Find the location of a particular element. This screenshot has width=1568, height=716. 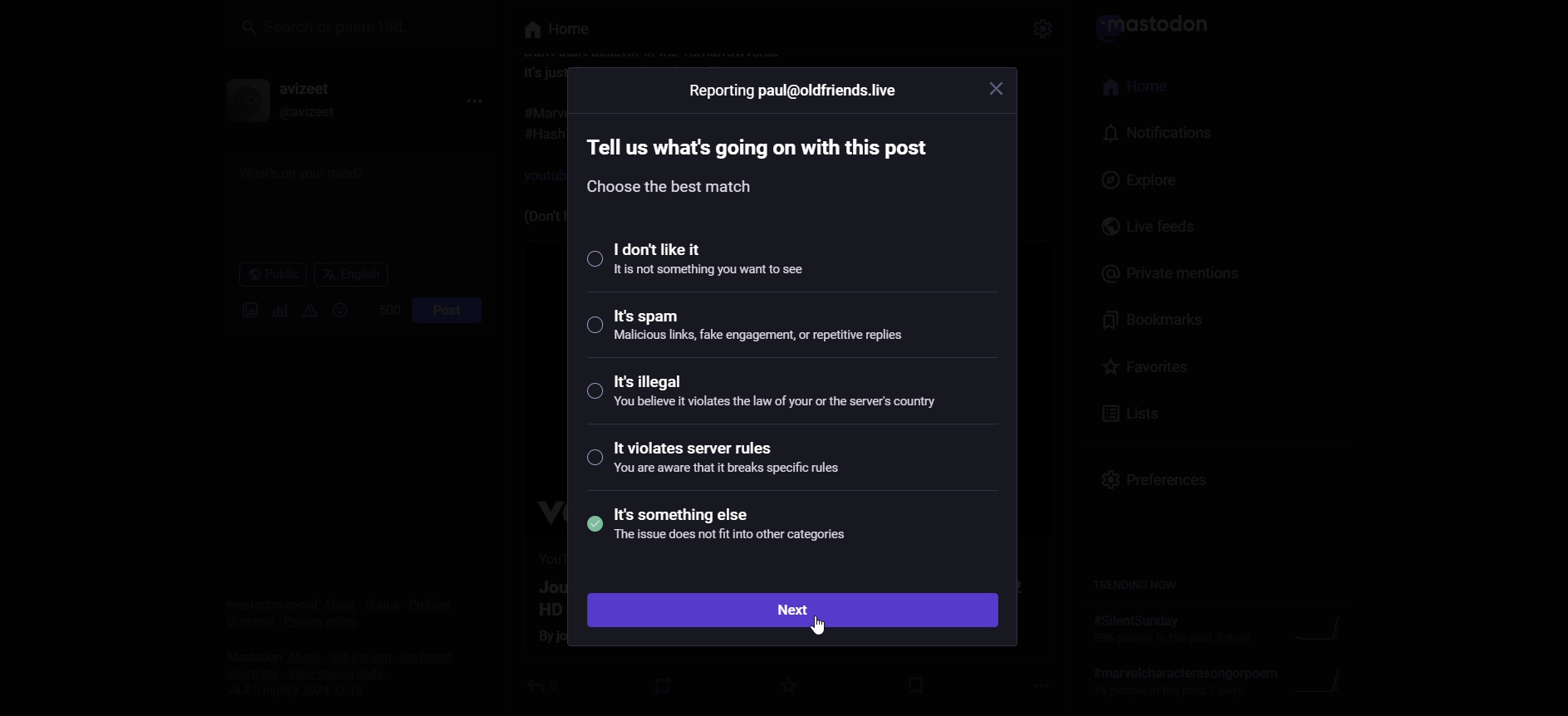

close is located at coordinates (1002, 92).